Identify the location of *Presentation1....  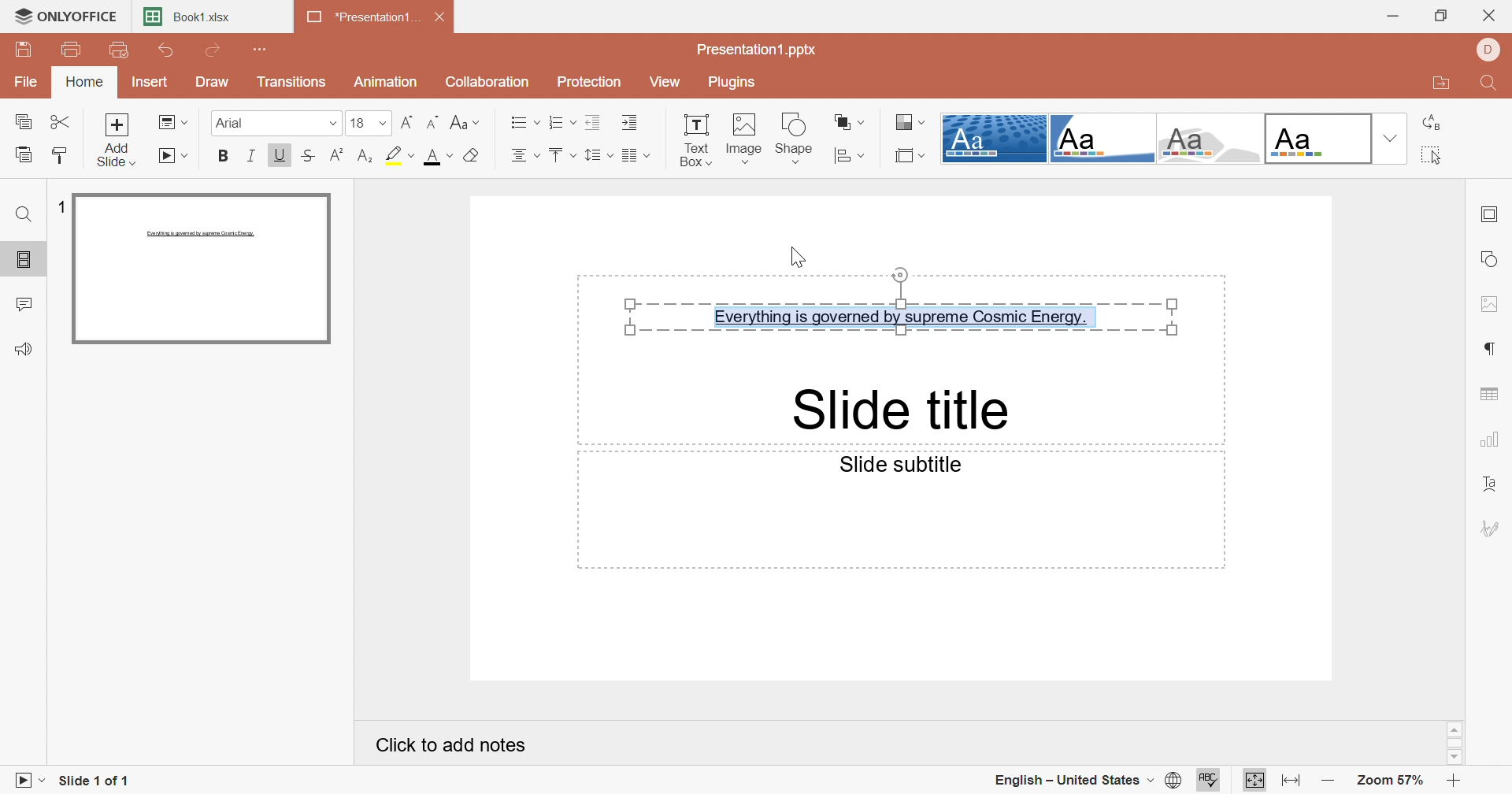
(365, 18).